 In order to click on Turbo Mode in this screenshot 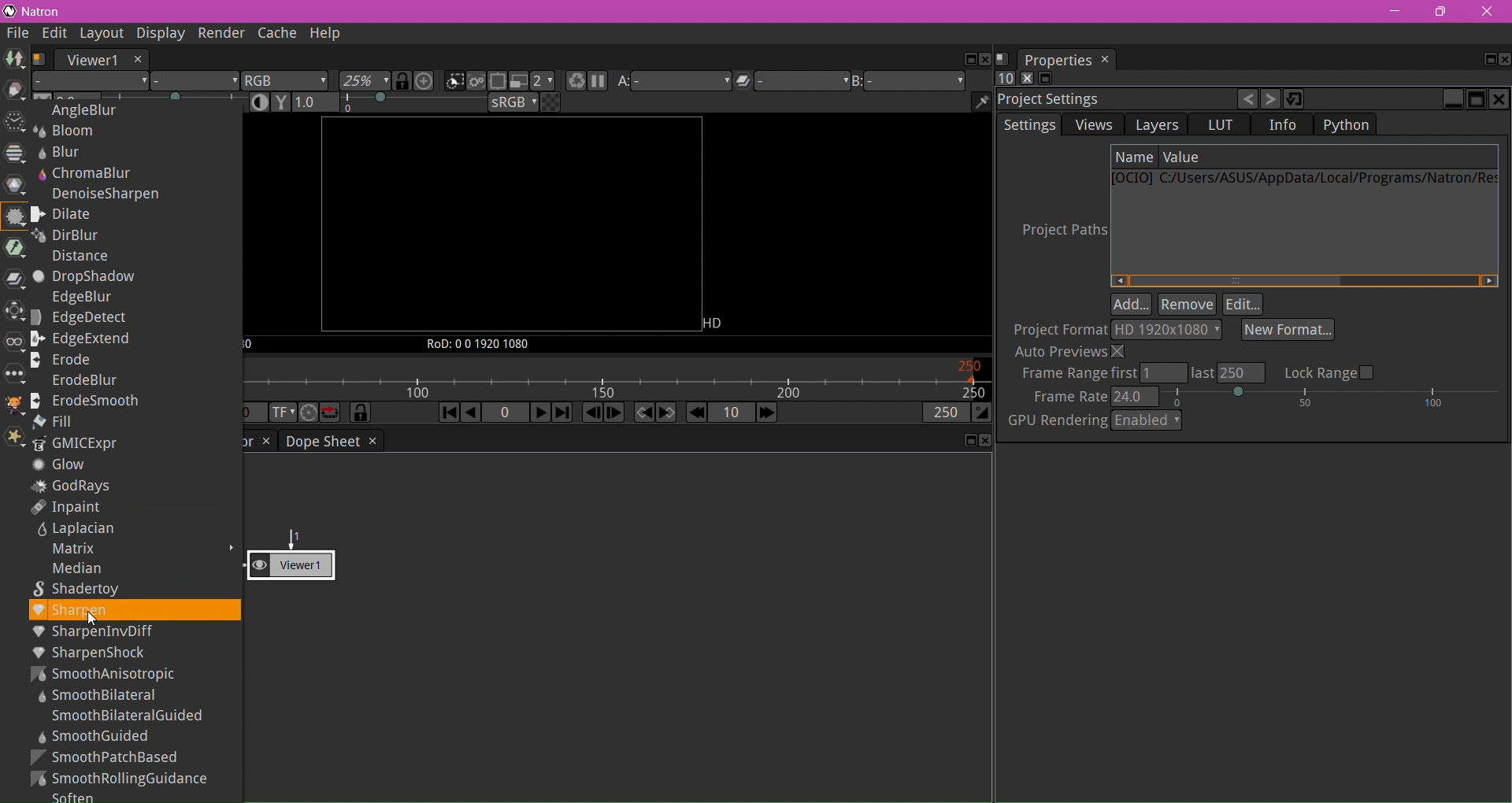, I will do `click(309, 413)`.